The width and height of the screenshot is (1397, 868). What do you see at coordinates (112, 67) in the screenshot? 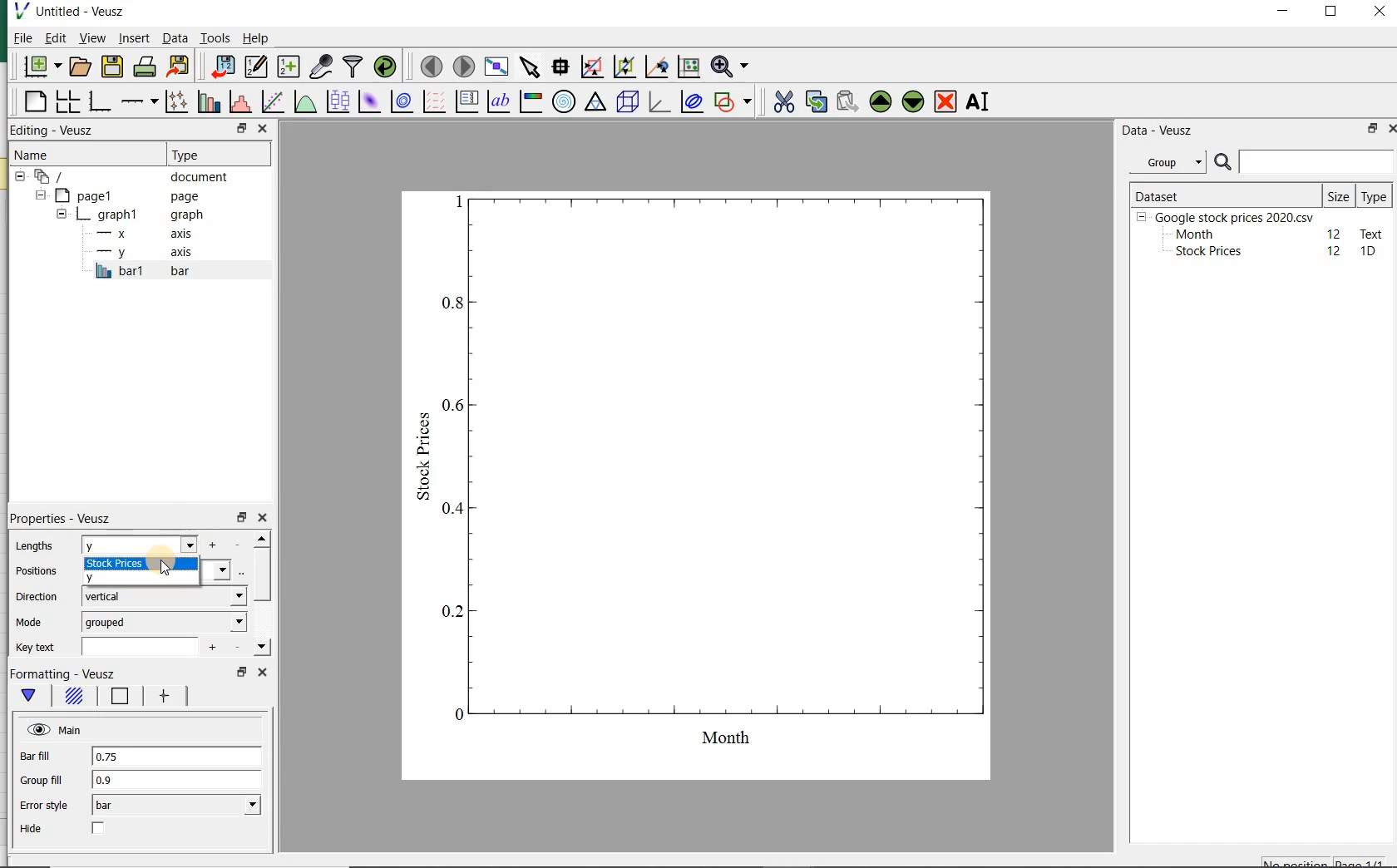
I see `save the document` at bounding box center [112, 67].